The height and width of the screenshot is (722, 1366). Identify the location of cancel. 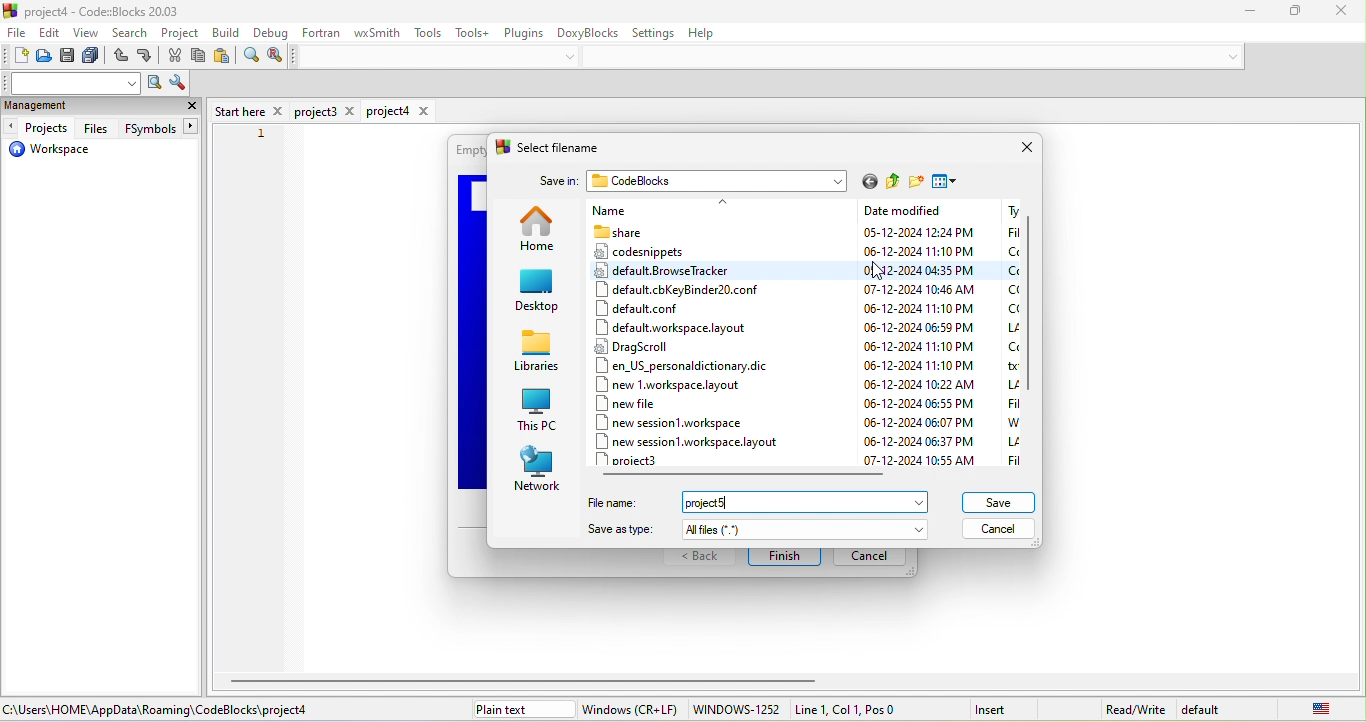
(1000, 529).